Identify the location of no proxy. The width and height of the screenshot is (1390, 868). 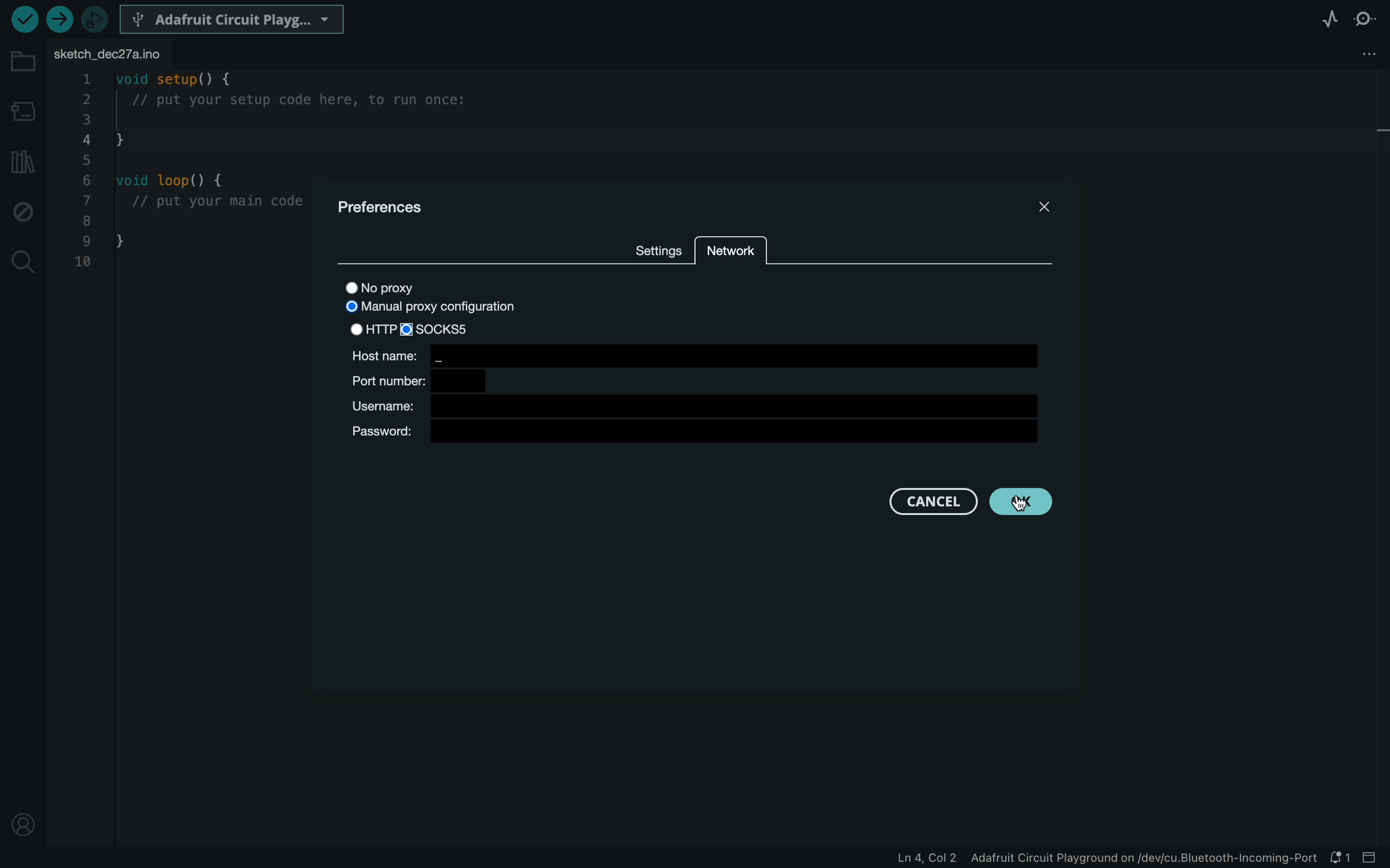
(394, 286).